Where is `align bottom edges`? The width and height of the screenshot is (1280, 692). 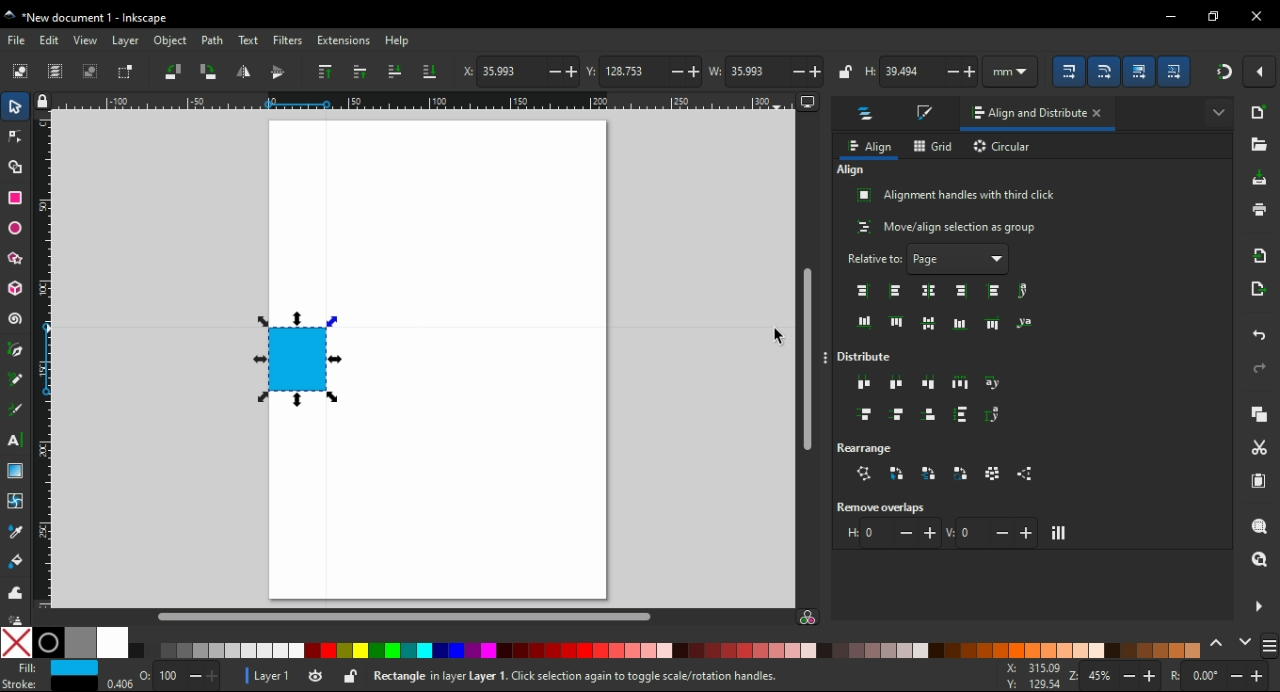 align bottom edges is located at coordinates (959, 323).